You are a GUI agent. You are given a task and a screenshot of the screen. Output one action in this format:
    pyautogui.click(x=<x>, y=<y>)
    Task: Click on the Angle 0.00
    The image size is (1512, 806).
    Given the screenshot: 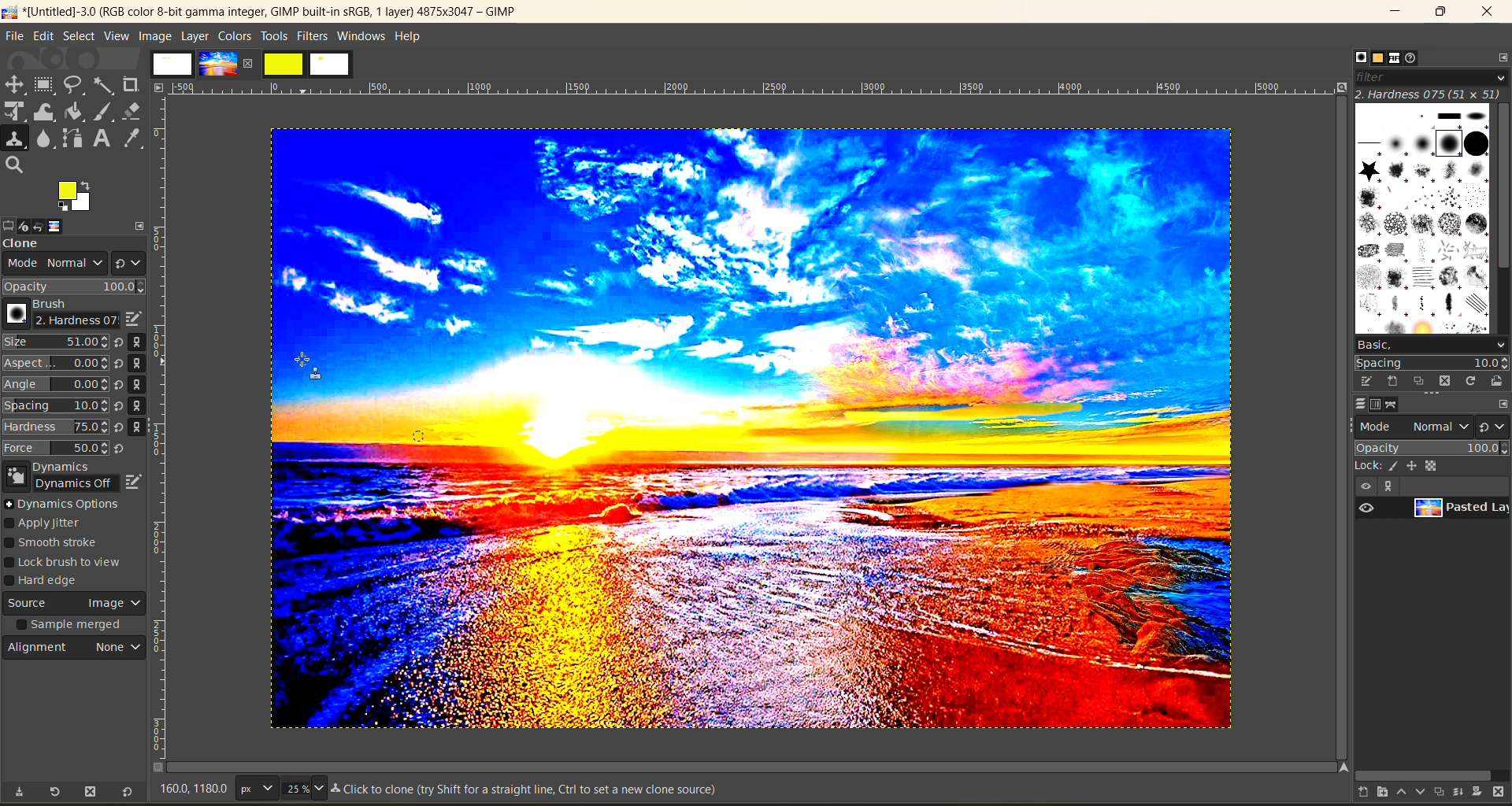 What is the action you would take?
    pyautogui.click(x=56, y=386)
    